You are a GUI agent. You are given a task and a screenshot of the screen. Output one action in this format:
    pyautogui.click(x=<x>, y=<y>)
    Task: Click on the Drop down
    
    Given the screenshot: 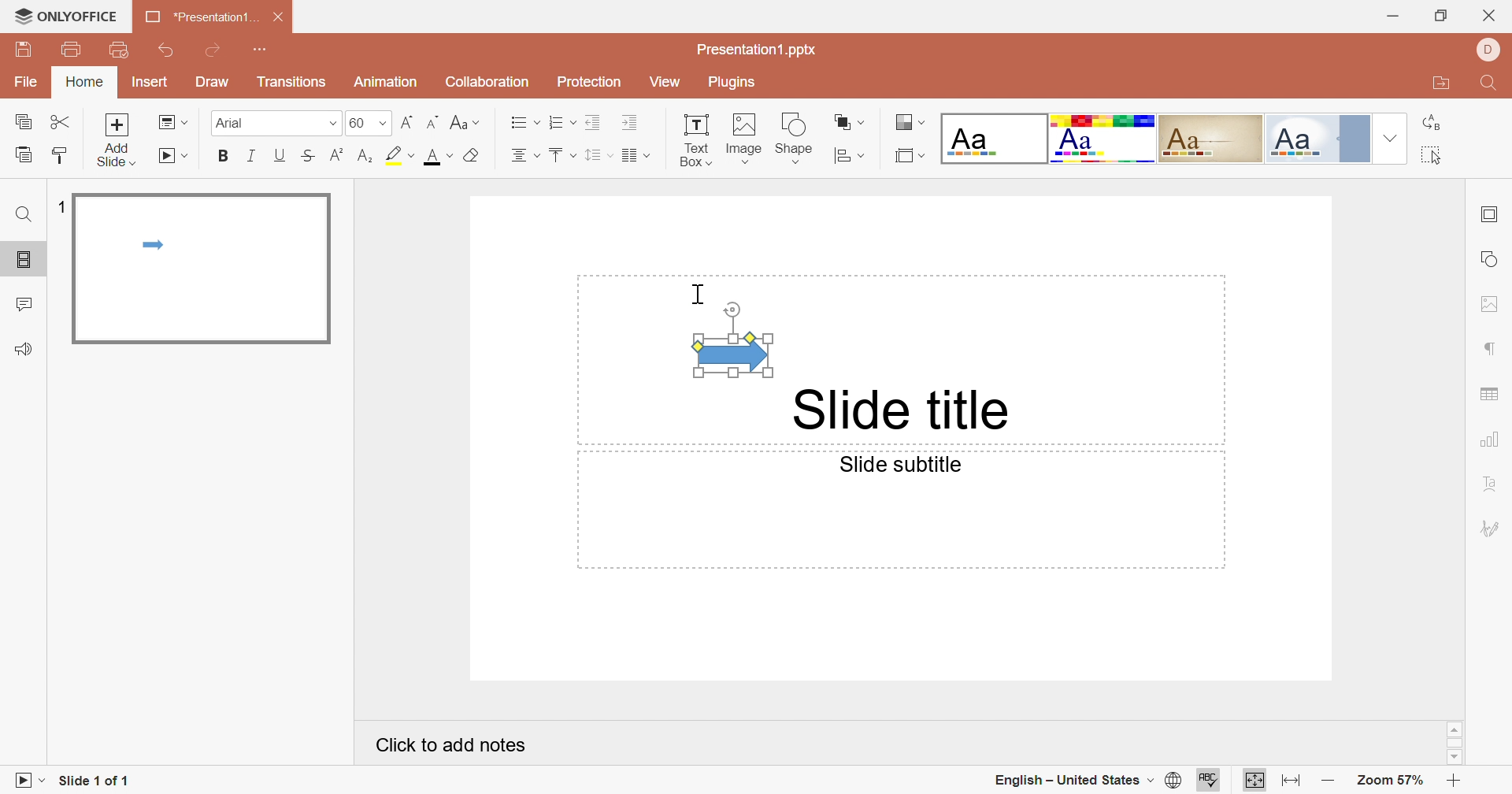 What is the action you would take?
    pyautogui.click(x=1392, y=138)
    